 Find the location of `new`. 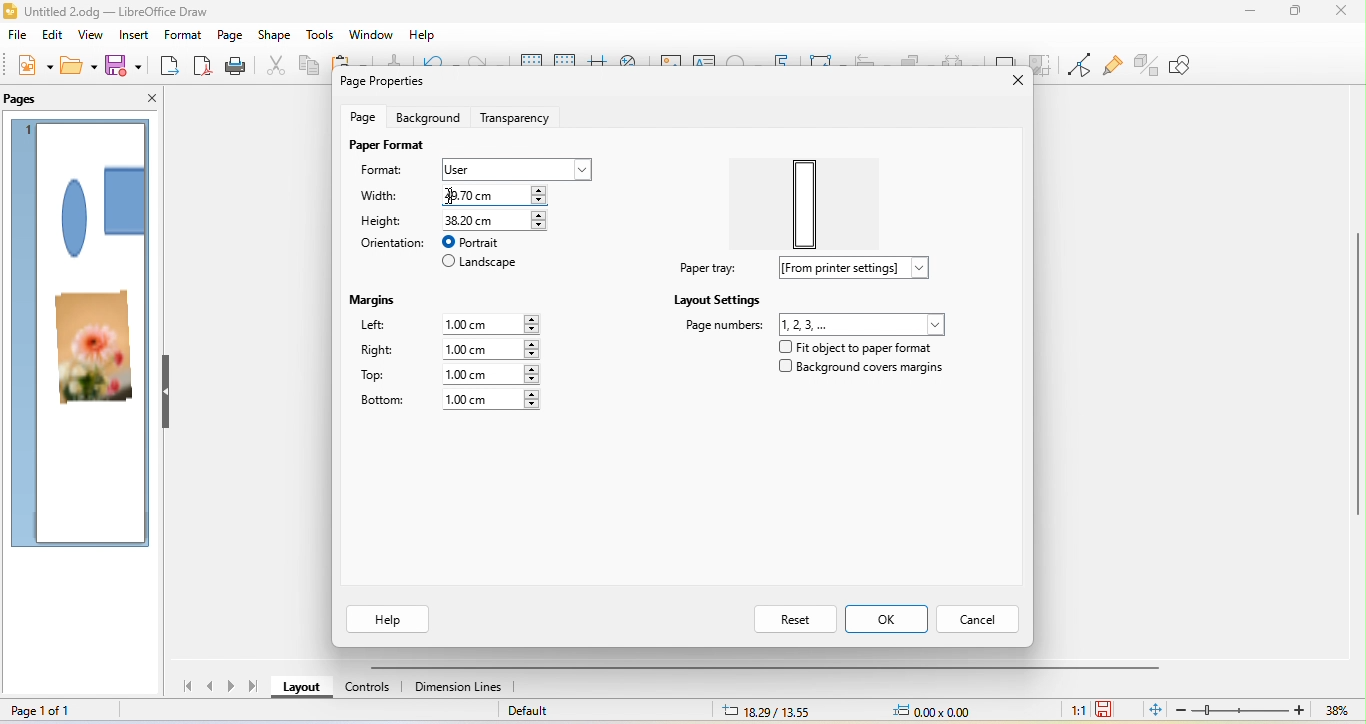

new is located at coordinates (27, 68).